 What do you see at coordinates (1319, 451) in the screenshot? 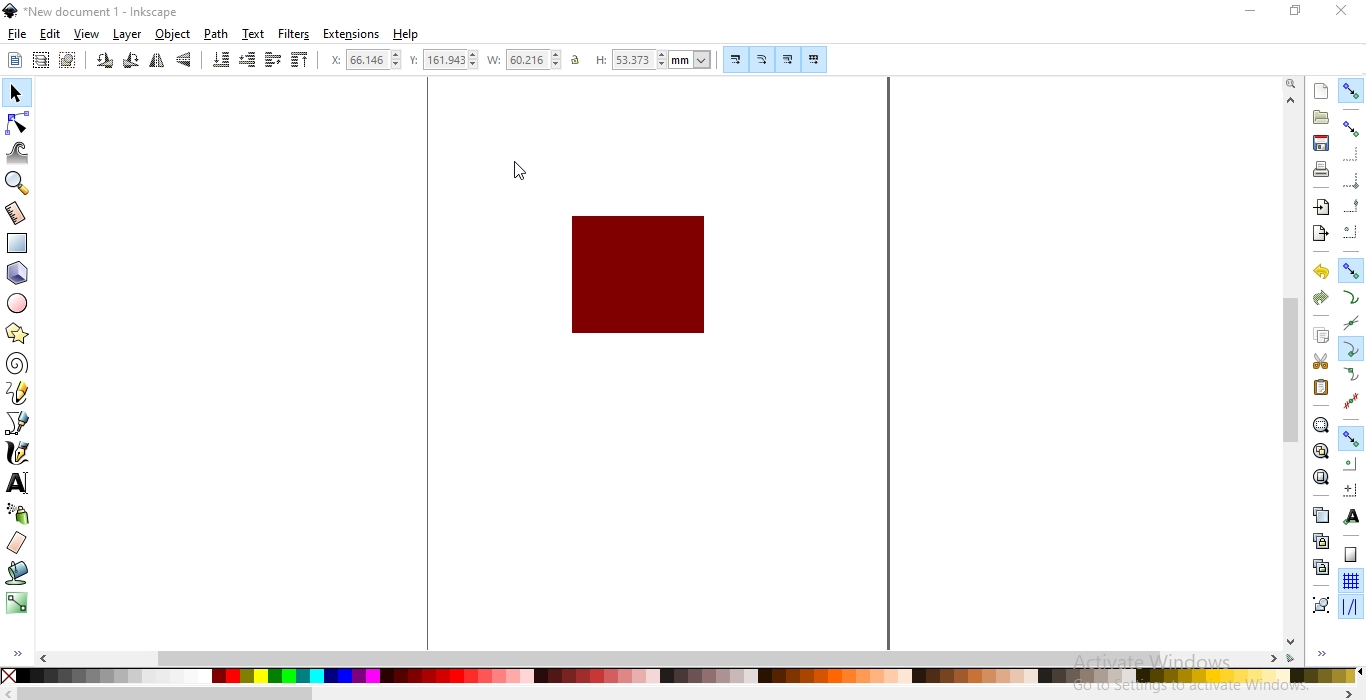
I see `zoom to fit drawing` at bounding box center [1319, 451].